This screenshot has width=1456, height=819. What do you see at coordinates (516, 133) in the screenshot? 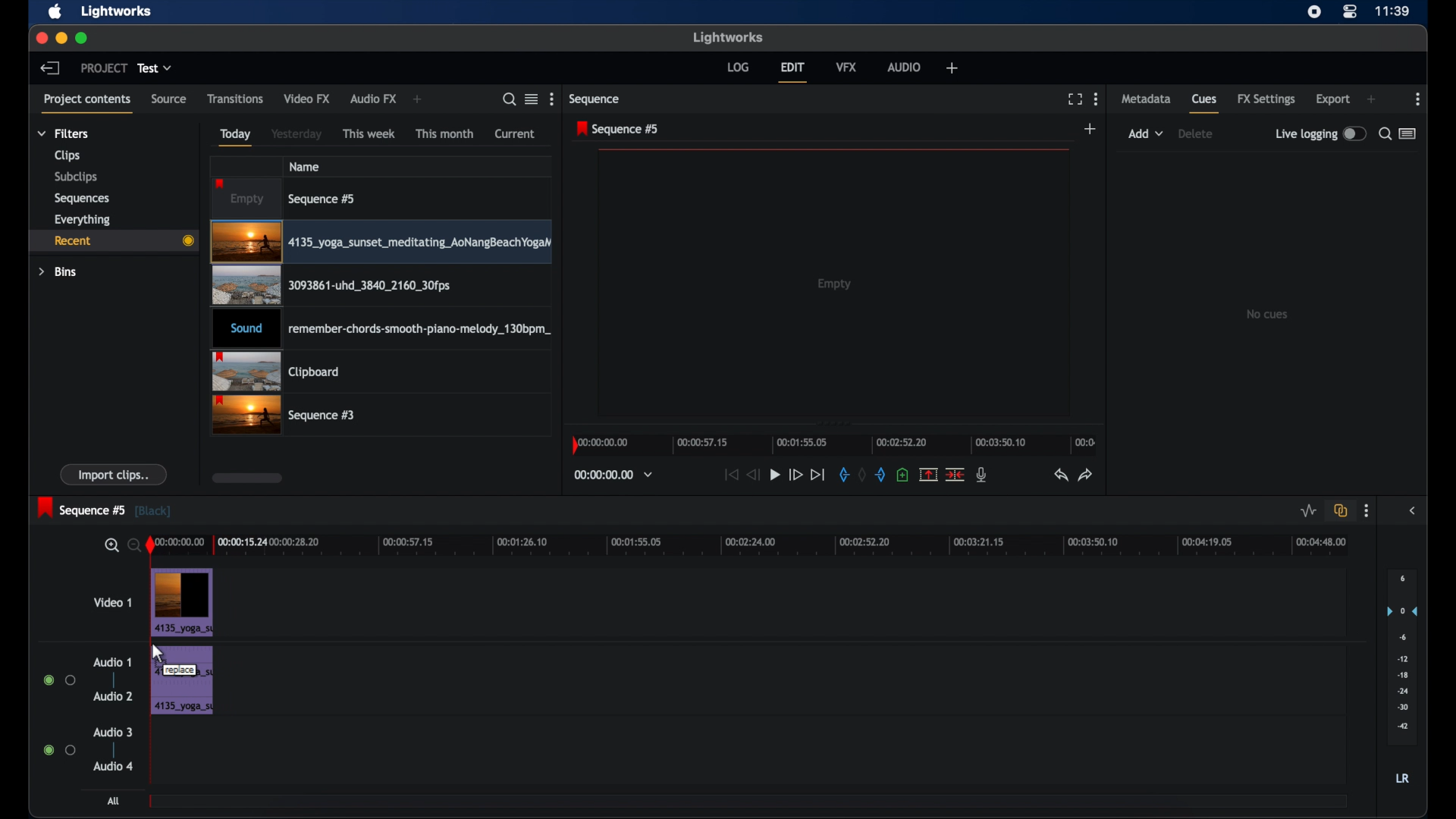
I see `current` at bounding box center [516, 133].